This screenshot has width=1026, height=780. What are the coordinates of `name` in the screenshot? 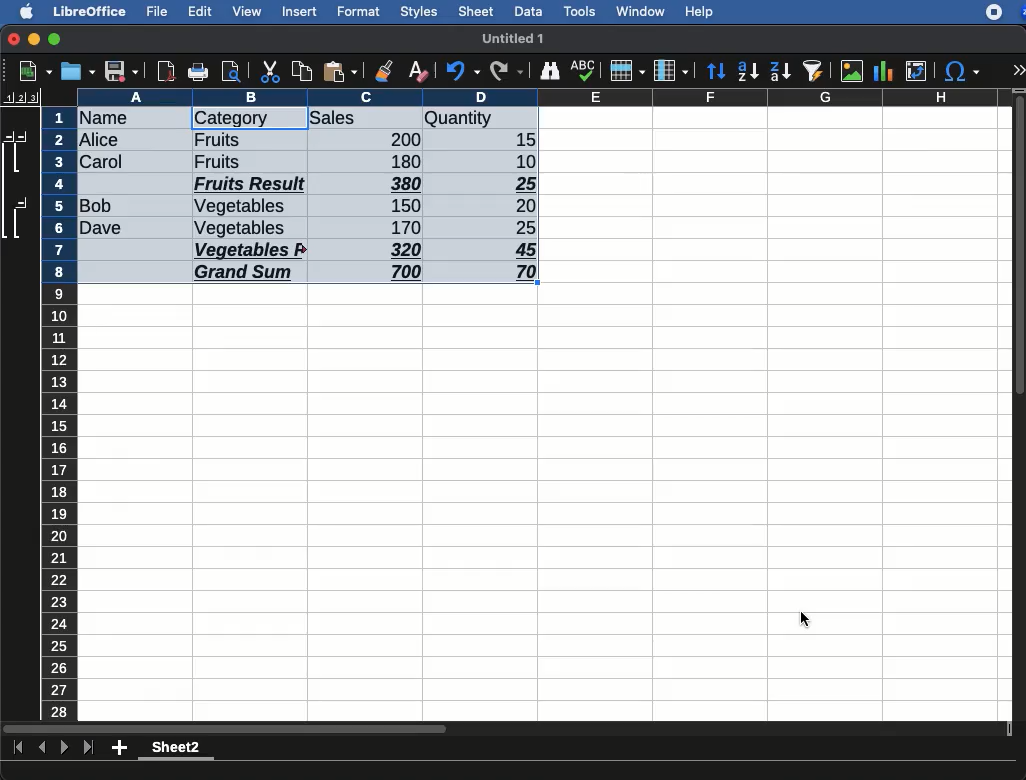 It's located at (110, 117).